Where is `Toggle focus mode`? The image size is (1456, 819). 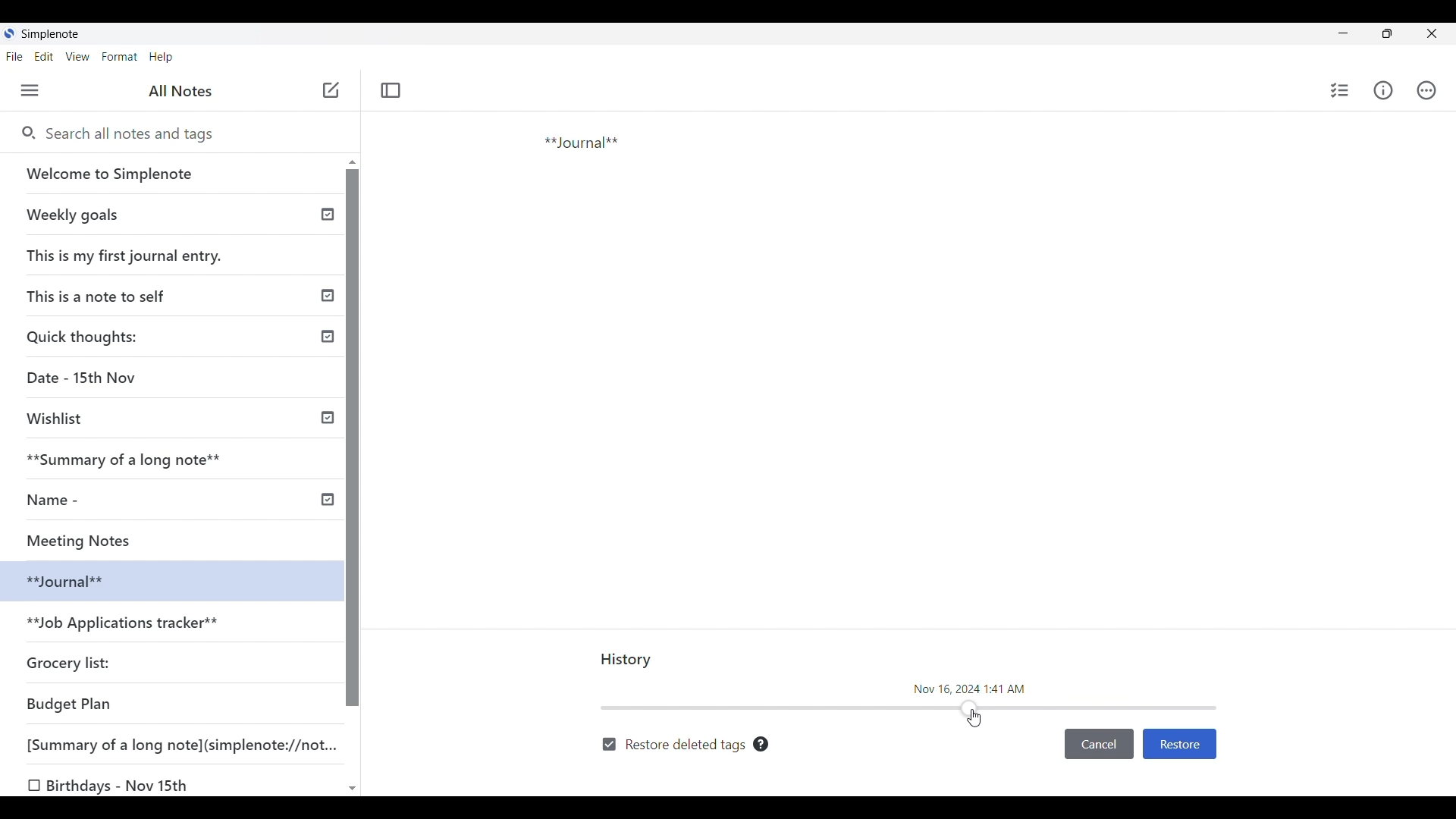 Toggle focus mode is located at coordinates (391, 90).